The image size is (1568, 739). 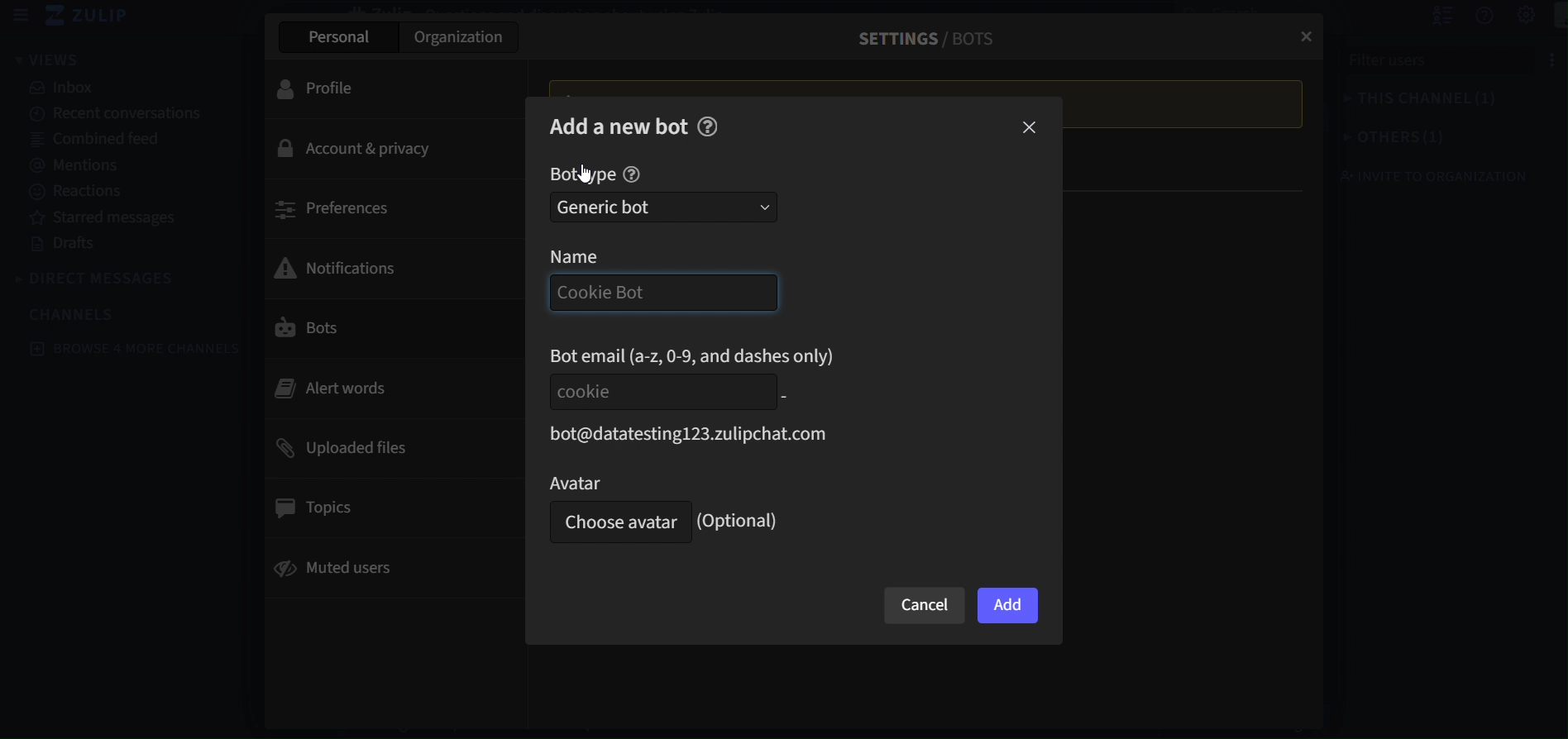 What do you see at coordinates (586, 174) in the screenshot?
I see `Cursor` at bounding box center [586, 174].